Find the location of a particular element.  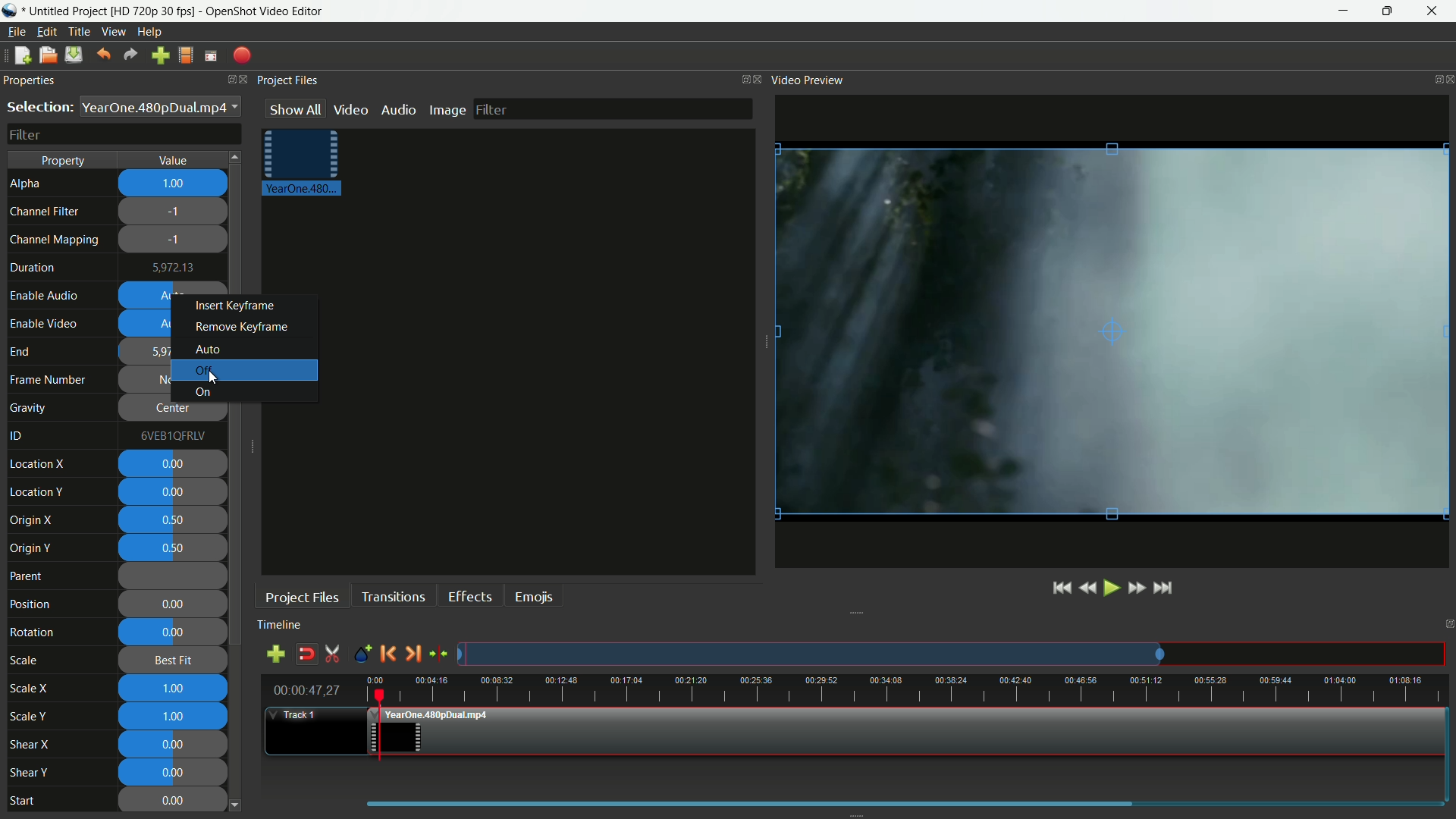

profile is located at coordinates (152, 11).